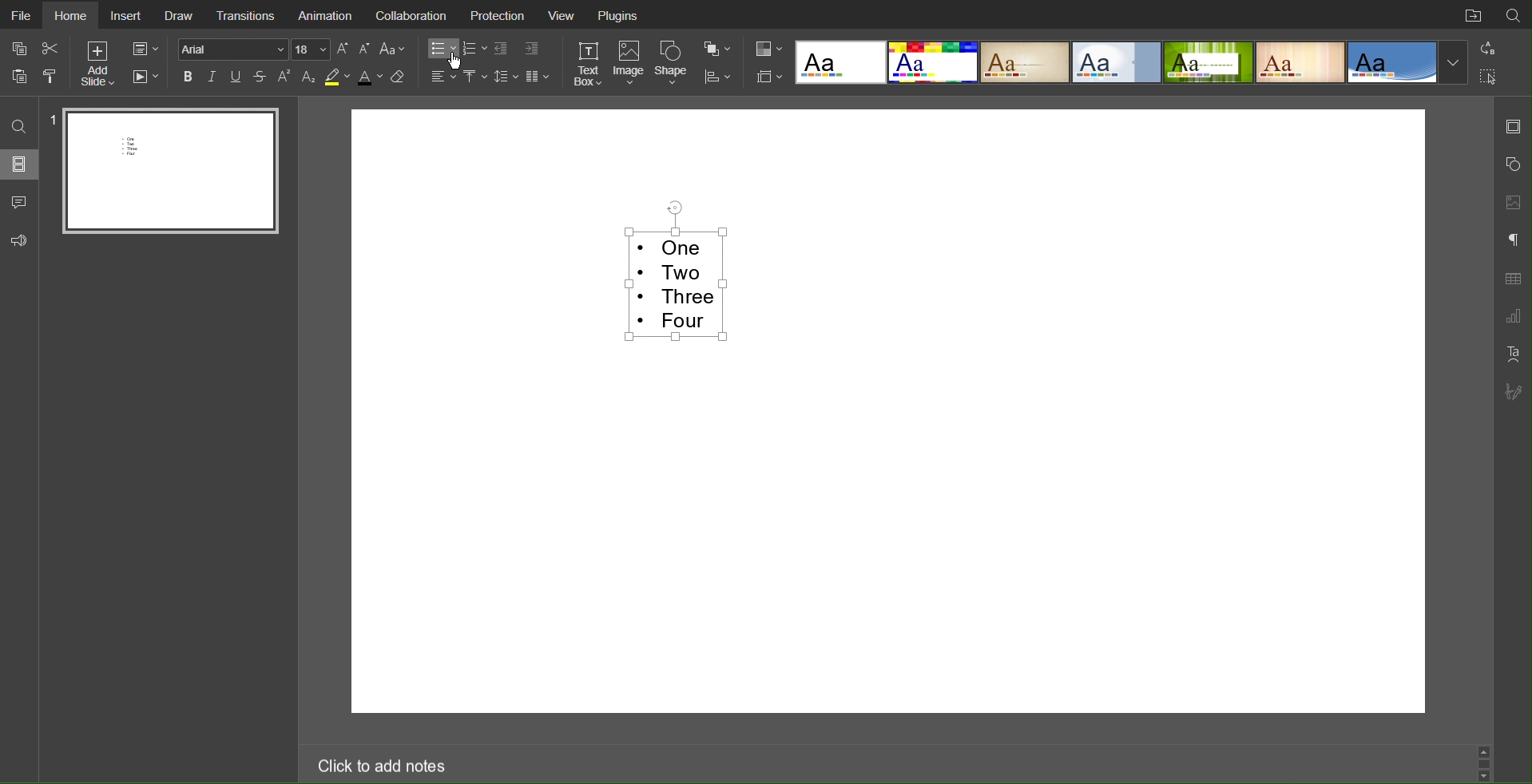 This screenshot has height=784, width=1532. What do you see at coordinates (101, 64) in the screenshot?
I see `Add Slide` at bounding box center [101, 64].